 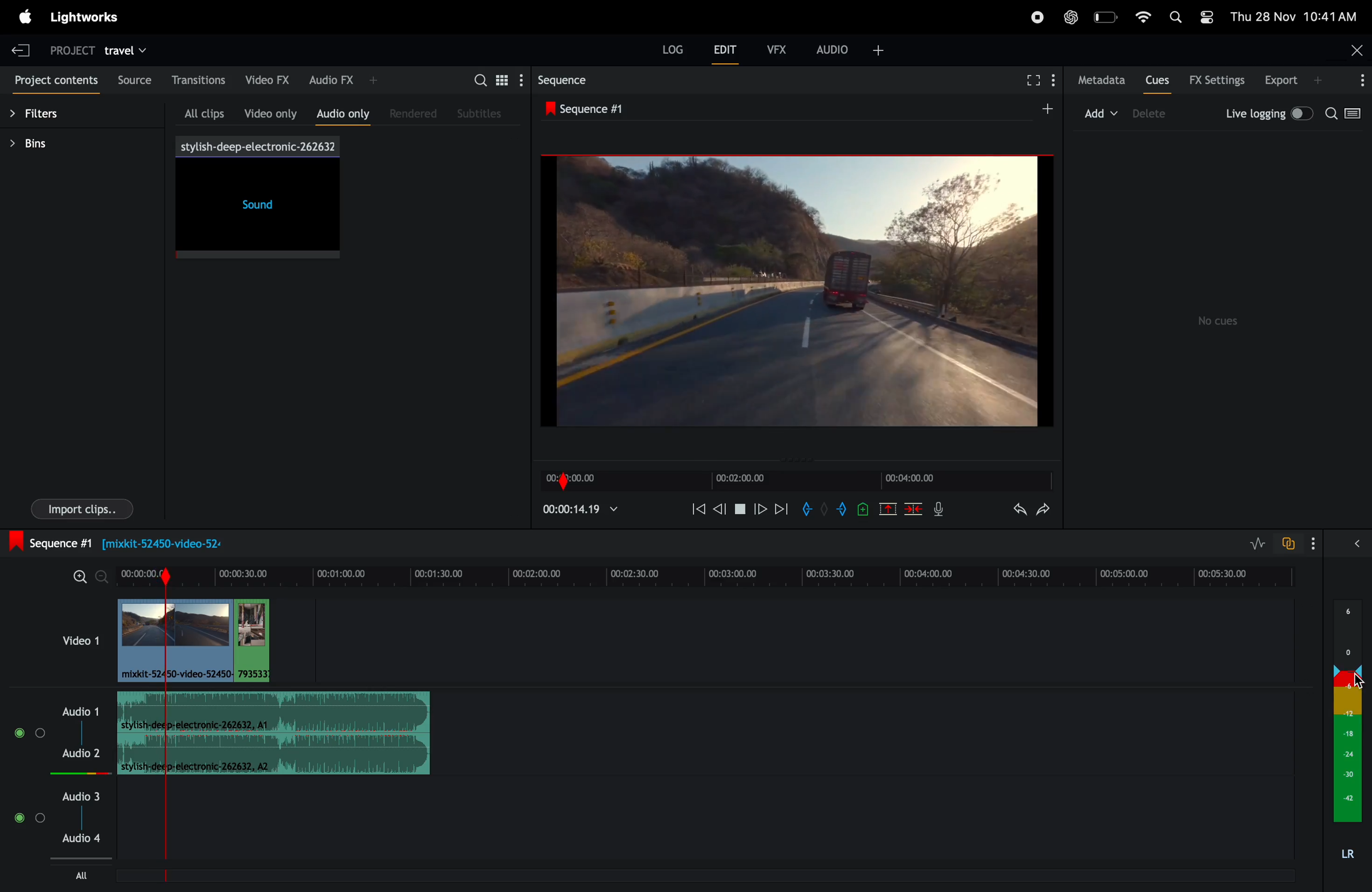 I want to click on audio 3, so click(x=82, y=795).